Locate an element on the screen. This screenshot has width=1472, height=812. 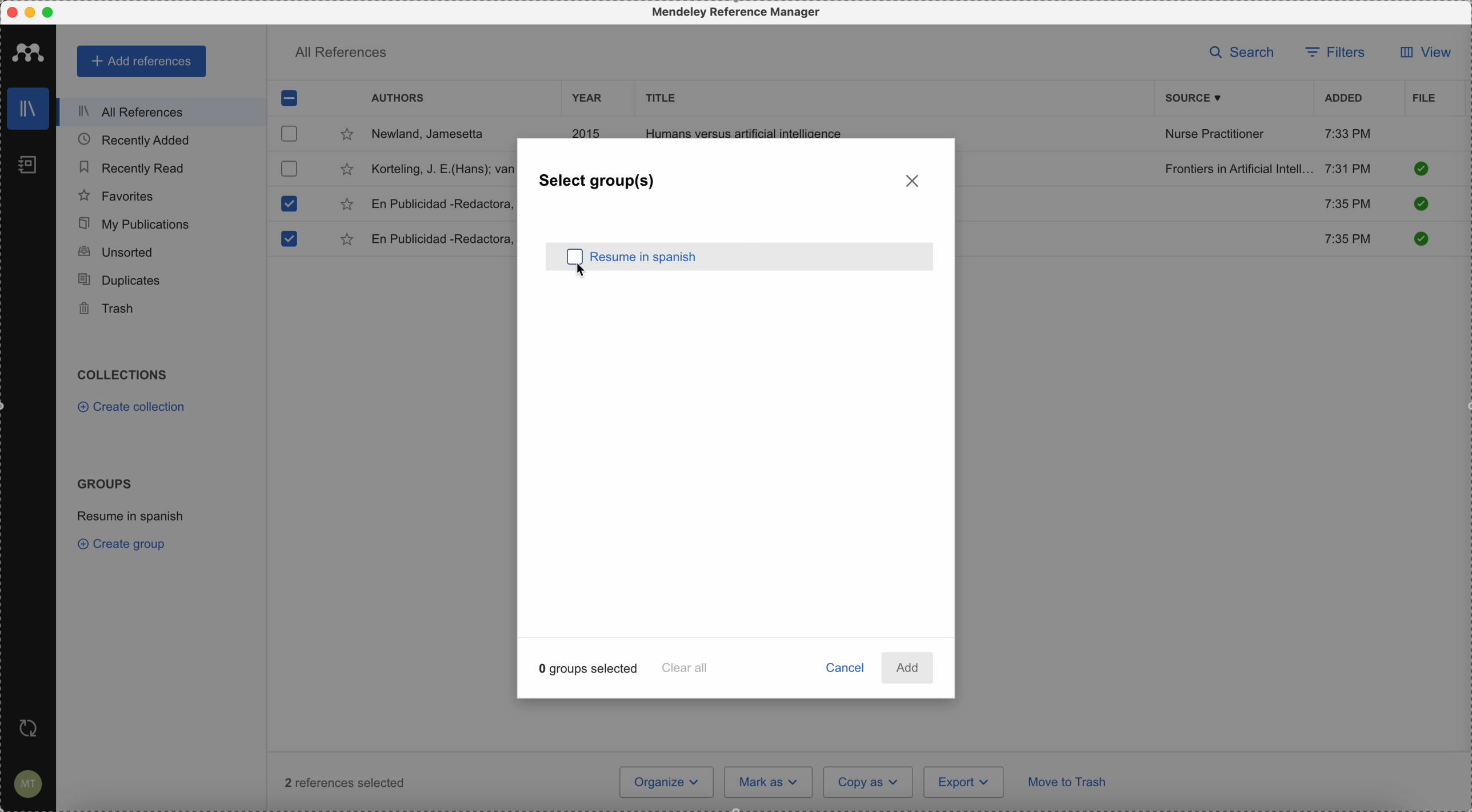
checkbox selected is located at coordinates (290, 97).